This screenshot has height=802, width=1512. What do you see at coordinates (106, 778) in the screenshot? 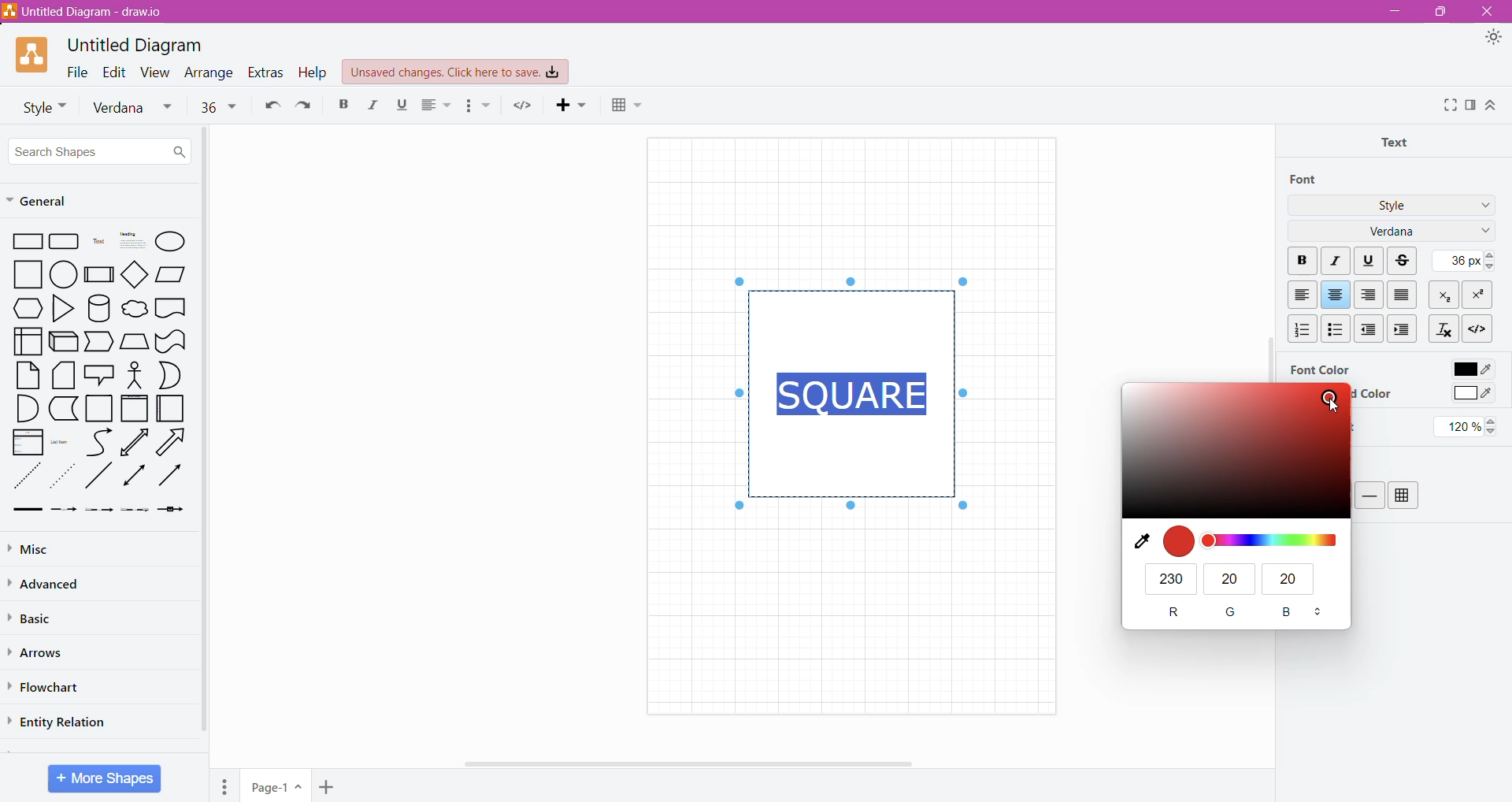
I see `More Shapes` at bounding box center [106, 778].